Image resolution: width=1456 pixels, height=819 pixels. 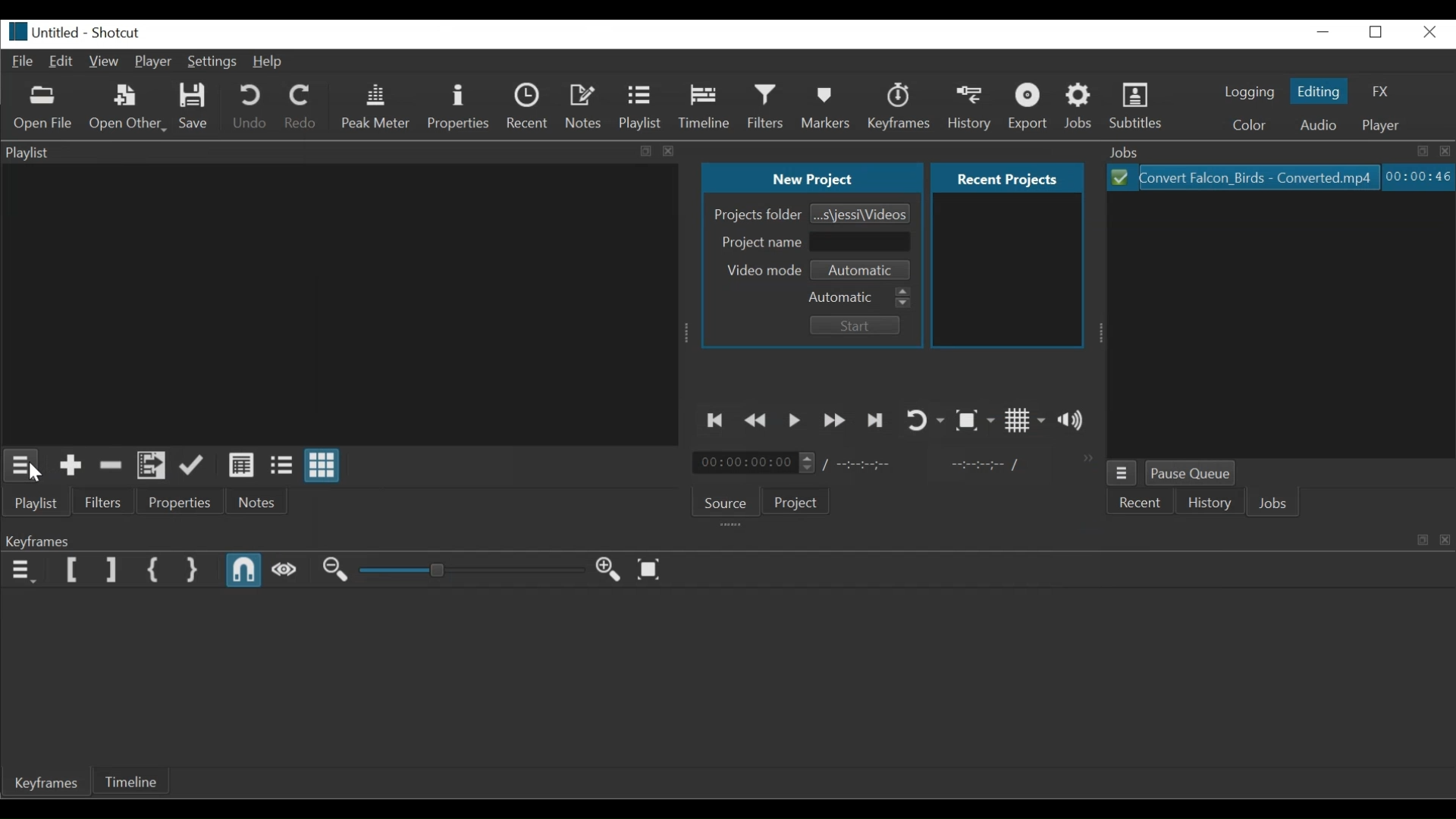 What do you see at coordinates (795, 419) in the screenshot?
I see `Toggle play or pause` at bounding box center [795, 419].